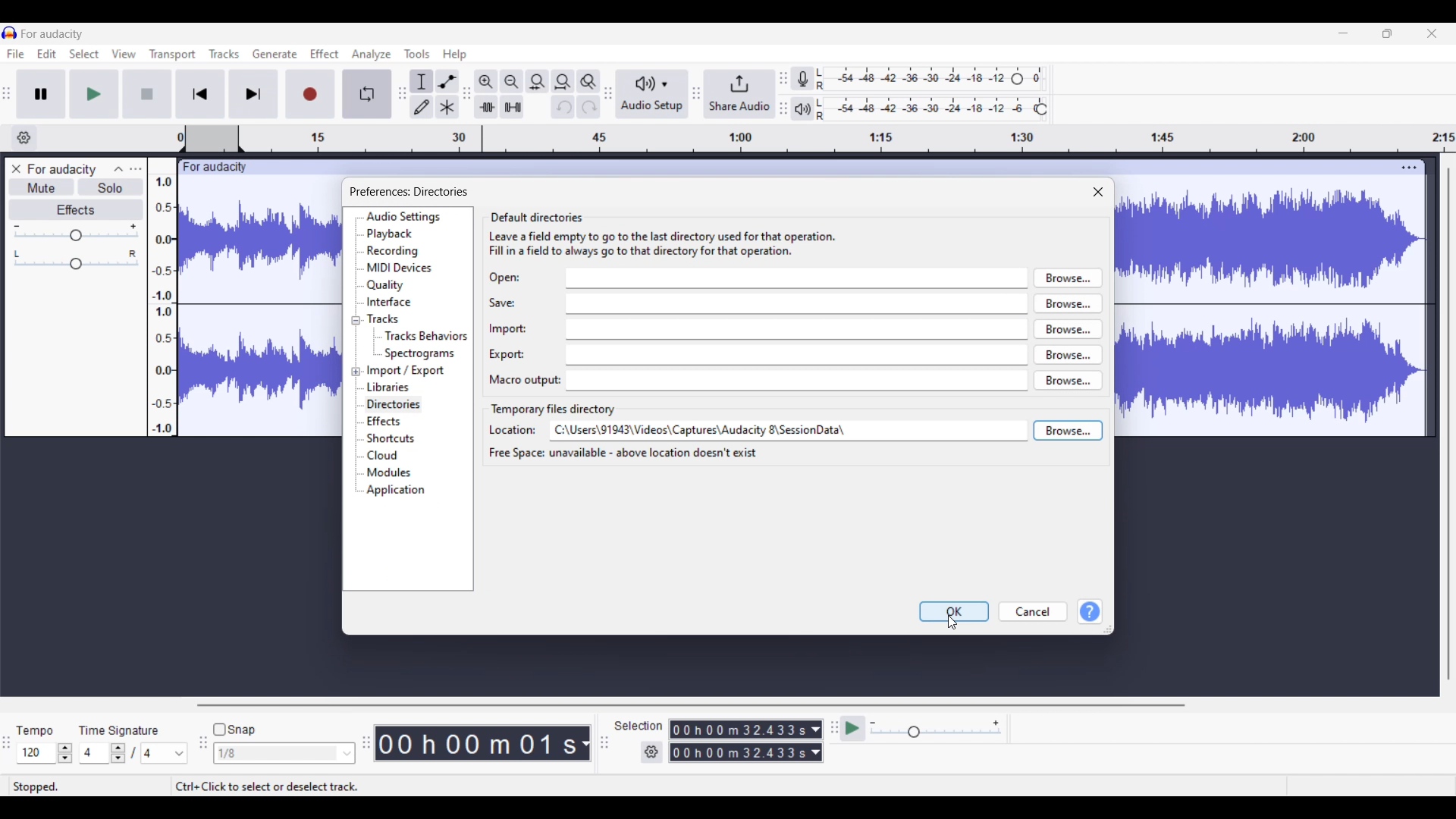  What do you see at coordinates (118, 170) in the screenshot?
I see `Collapse ` at bounding box center [118, 170].